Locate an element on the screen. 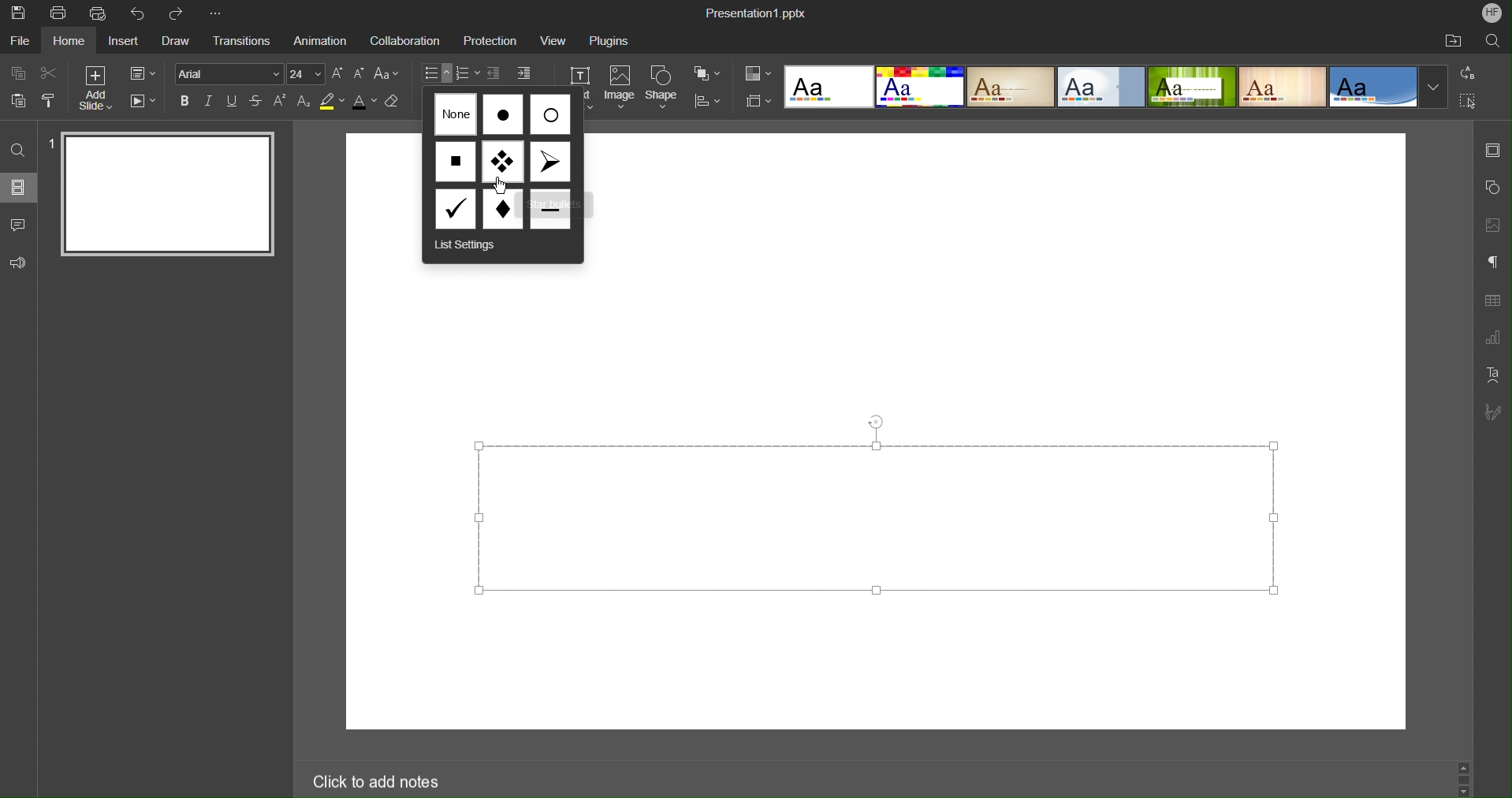 This screenshot has height=798, width=1512. Slide 1 is located at coordinates (169, 194).